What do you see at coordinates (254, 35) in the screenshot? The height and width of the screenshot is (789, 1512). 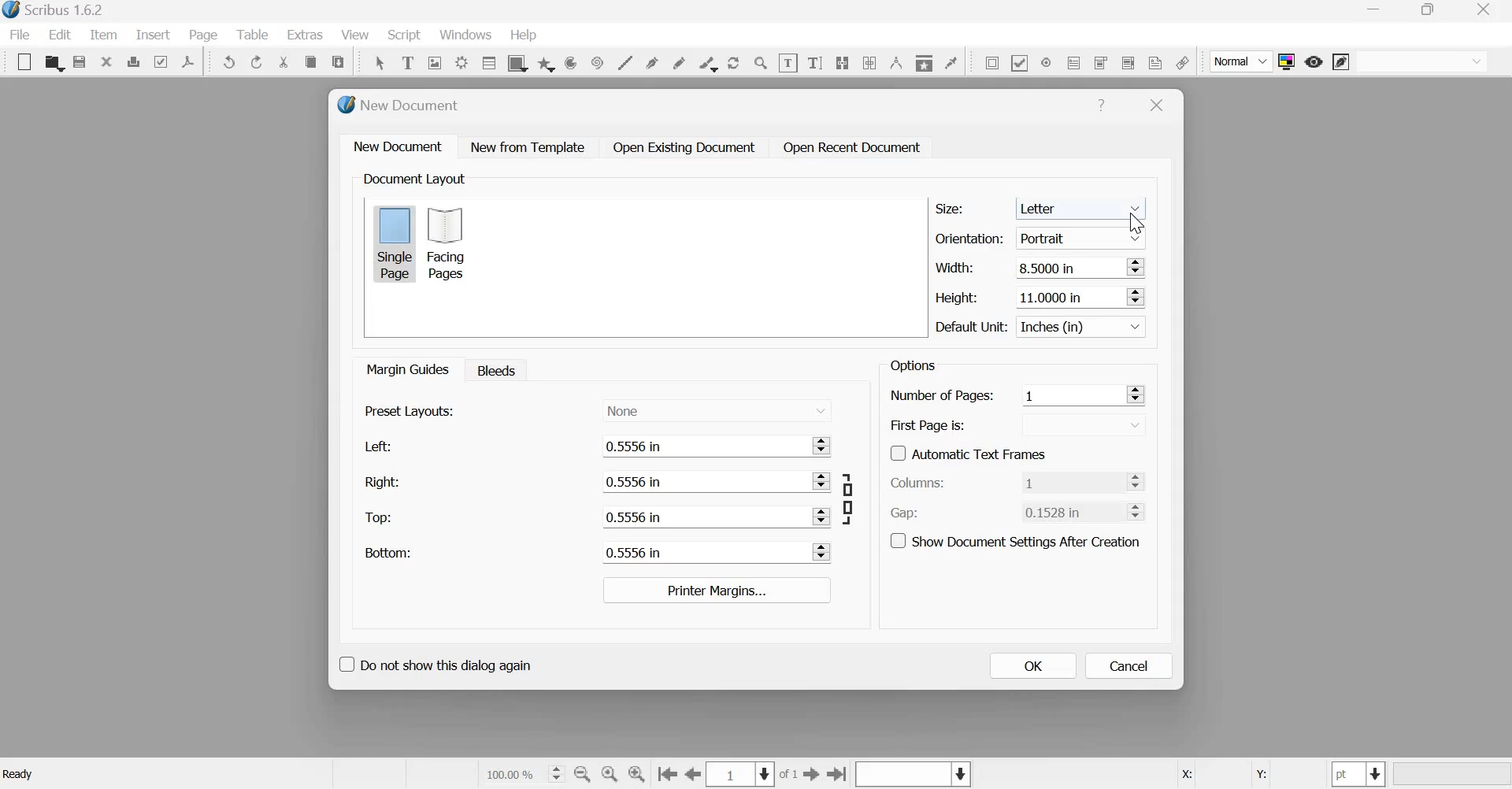 I see `Table` at bounding box center [254, 35].